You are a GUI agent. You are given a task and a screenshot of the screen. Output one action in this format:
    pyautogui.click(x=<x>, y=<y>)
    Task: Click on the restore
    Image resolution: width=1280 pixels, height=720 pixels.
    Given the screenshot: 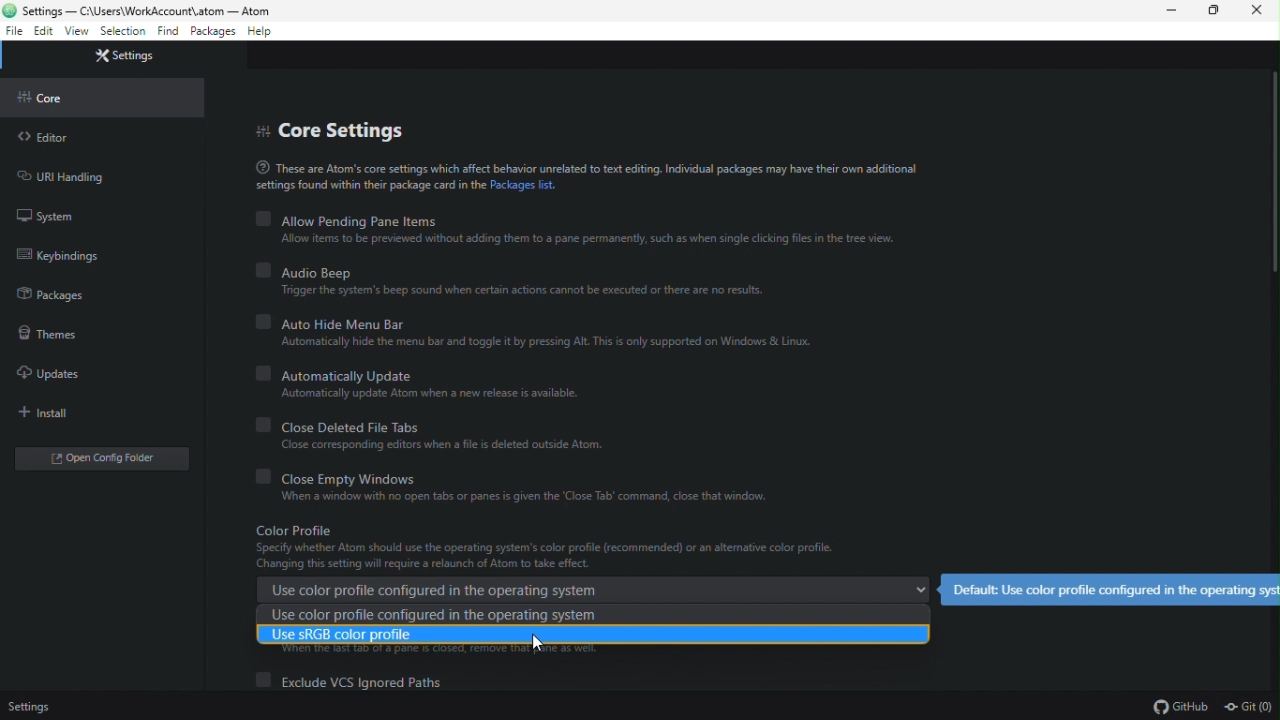 What is the action you would take?
    pyautogui.click(x=1215, y=13)
    